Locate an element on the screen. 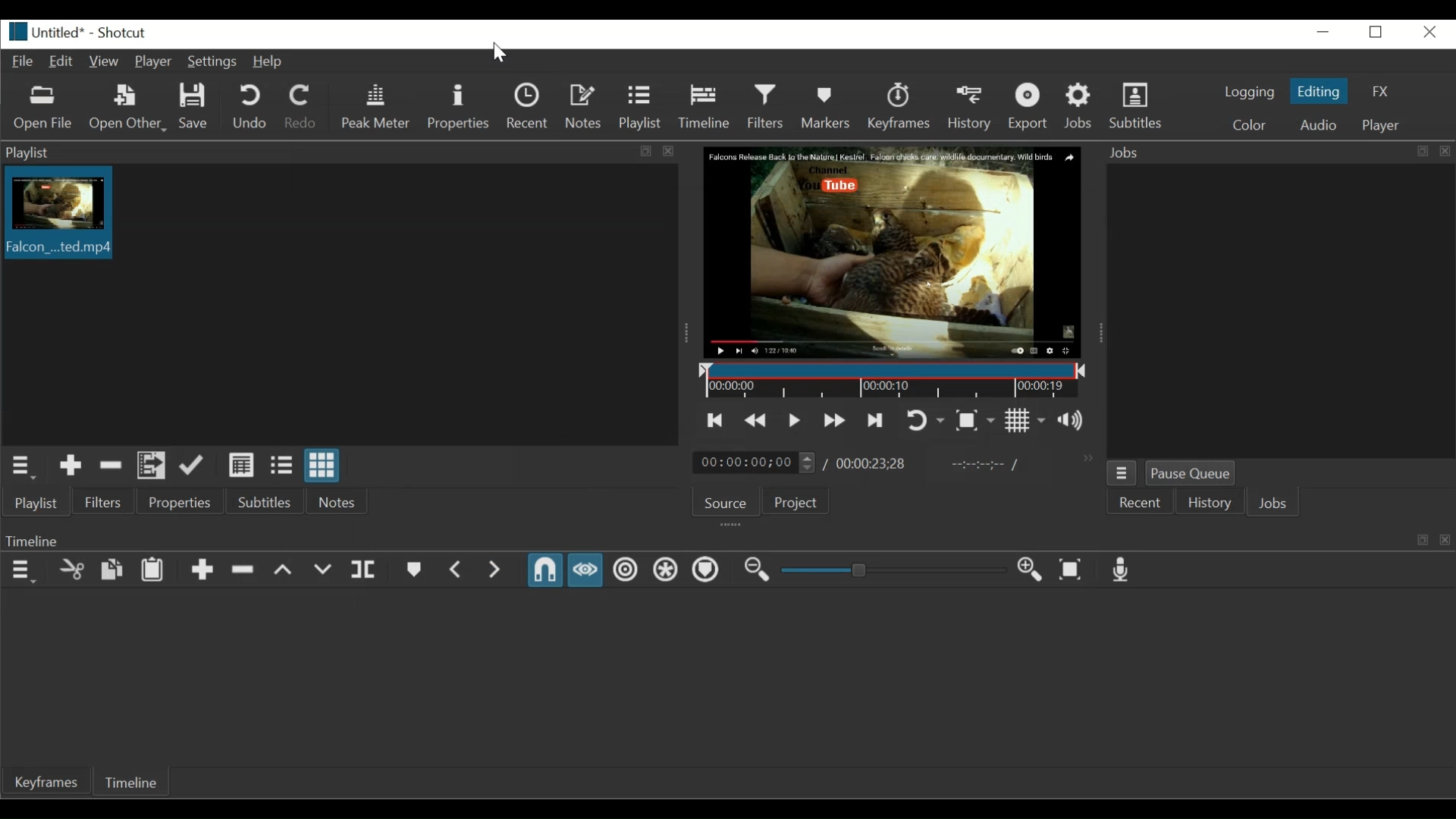 The height and width of the screenshot is (819, 1456). View is located at coordinates (108, 62).